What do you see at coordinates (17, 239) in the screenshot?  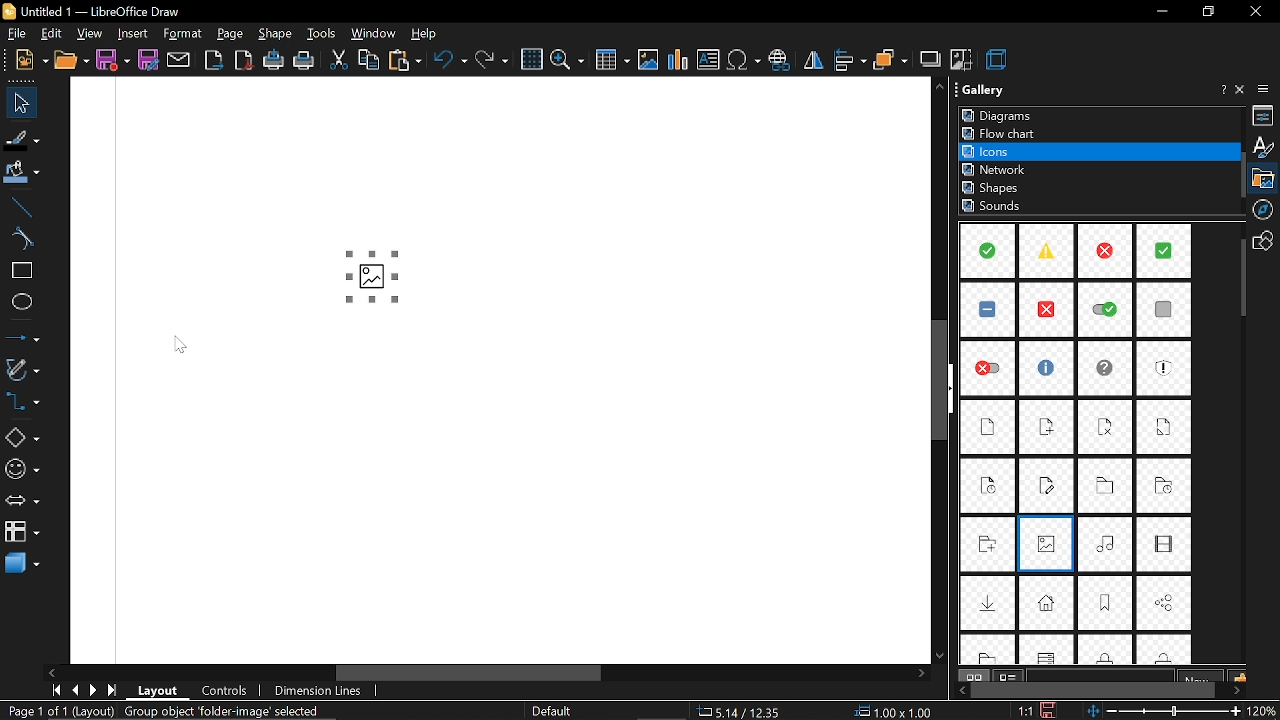 I see `curve` at bounding box center [17, 239].